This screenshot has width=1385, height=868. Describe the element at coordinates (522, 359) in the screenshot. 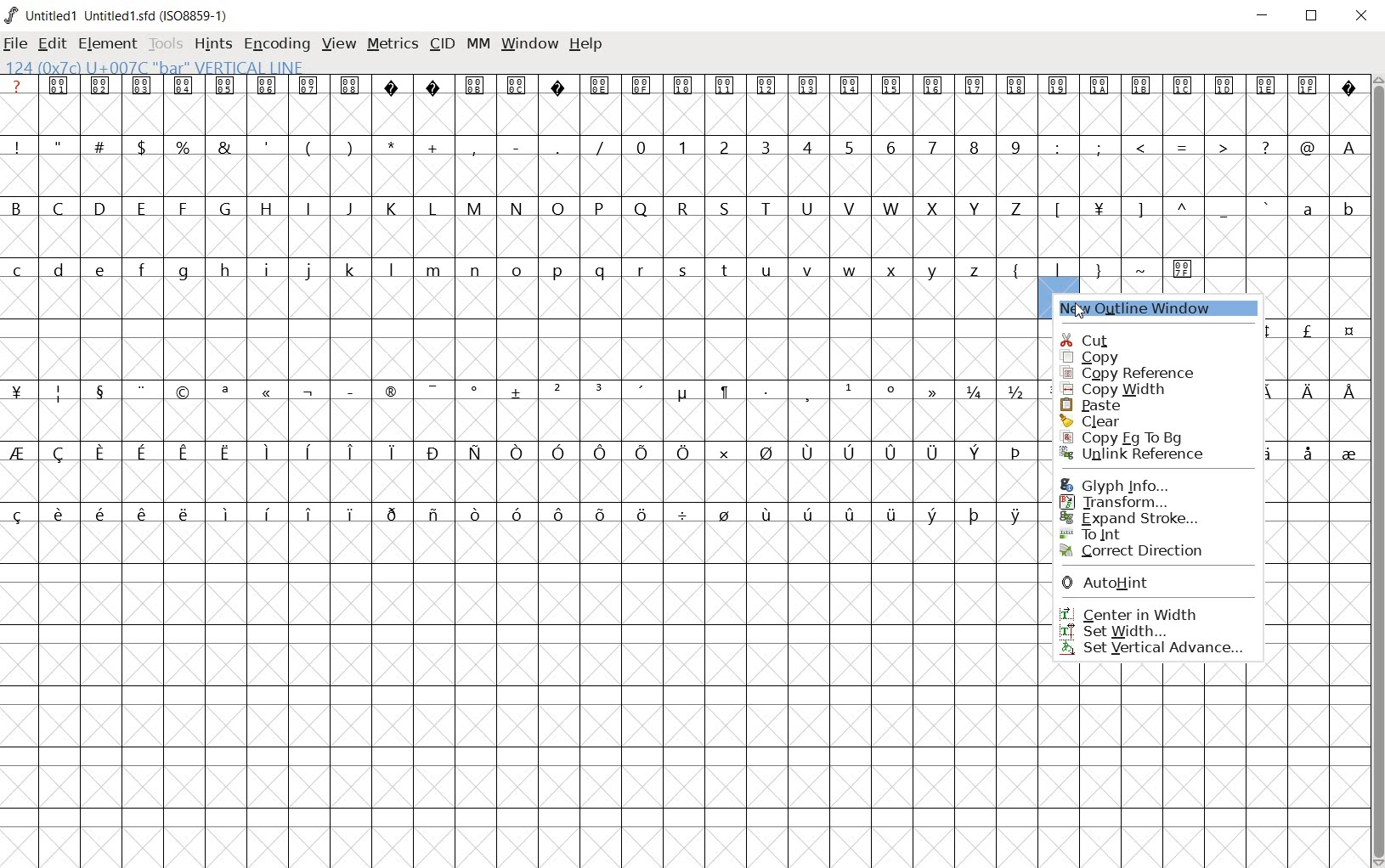

I see `empty cells` at that location.